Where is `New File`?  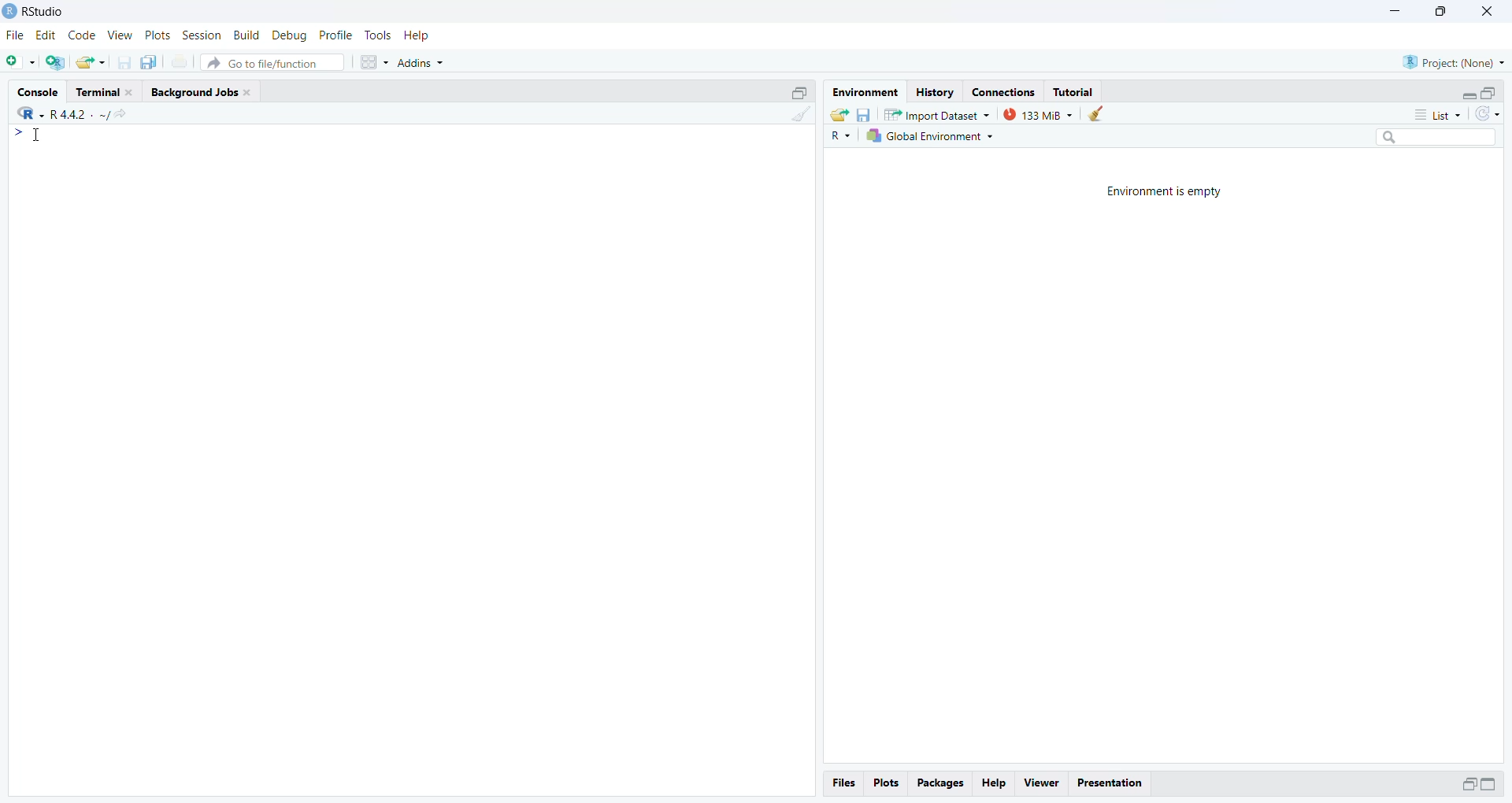
New File is located at coordinates (19, 60).